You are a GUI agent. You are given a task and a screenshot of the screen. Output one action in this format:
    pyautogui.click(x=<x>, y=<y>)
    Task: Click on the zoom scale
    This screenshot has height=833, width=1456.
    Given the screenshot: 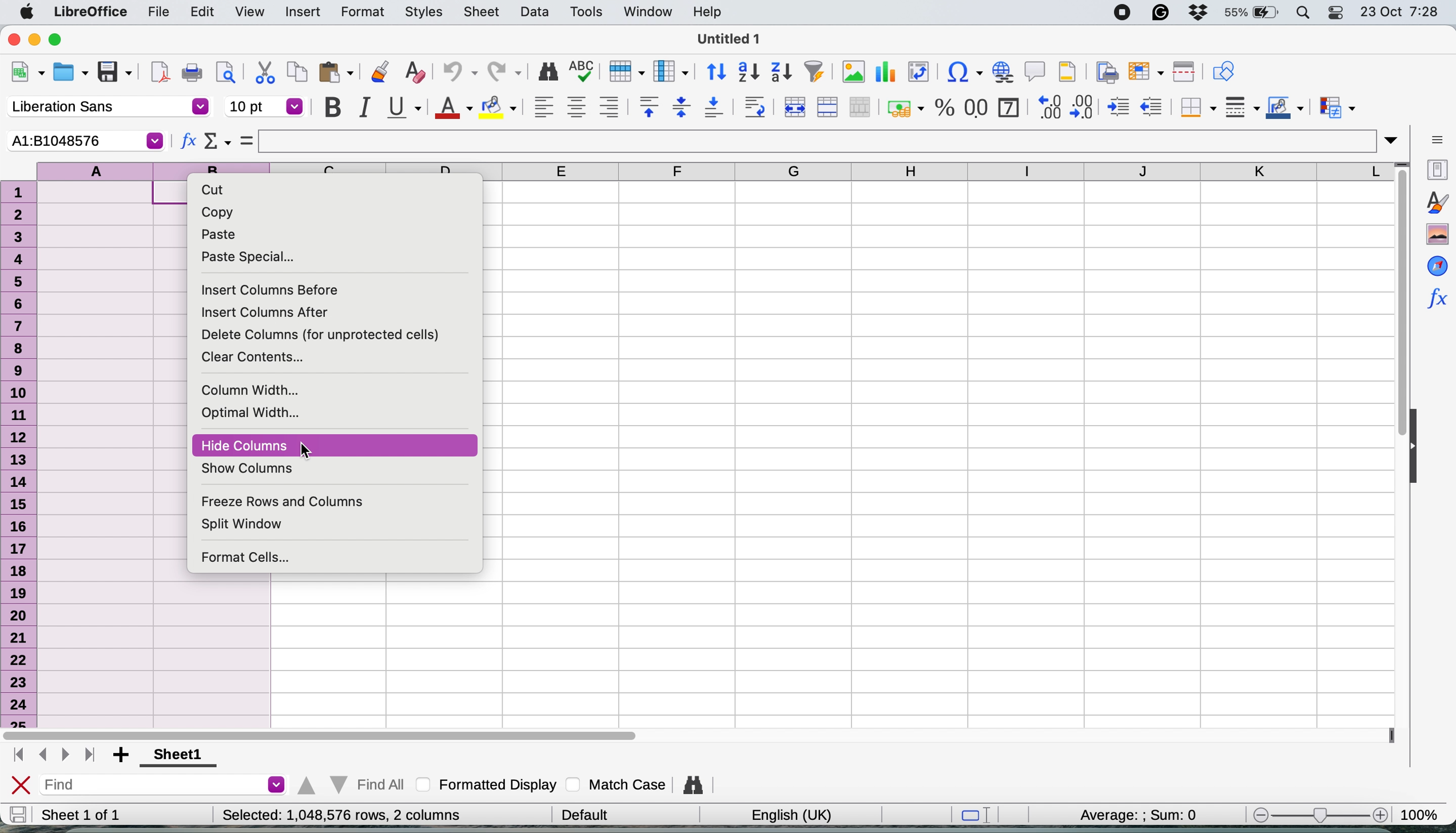 What is the action you would take?
    pyautogui.click(x=1315, y=815)
    